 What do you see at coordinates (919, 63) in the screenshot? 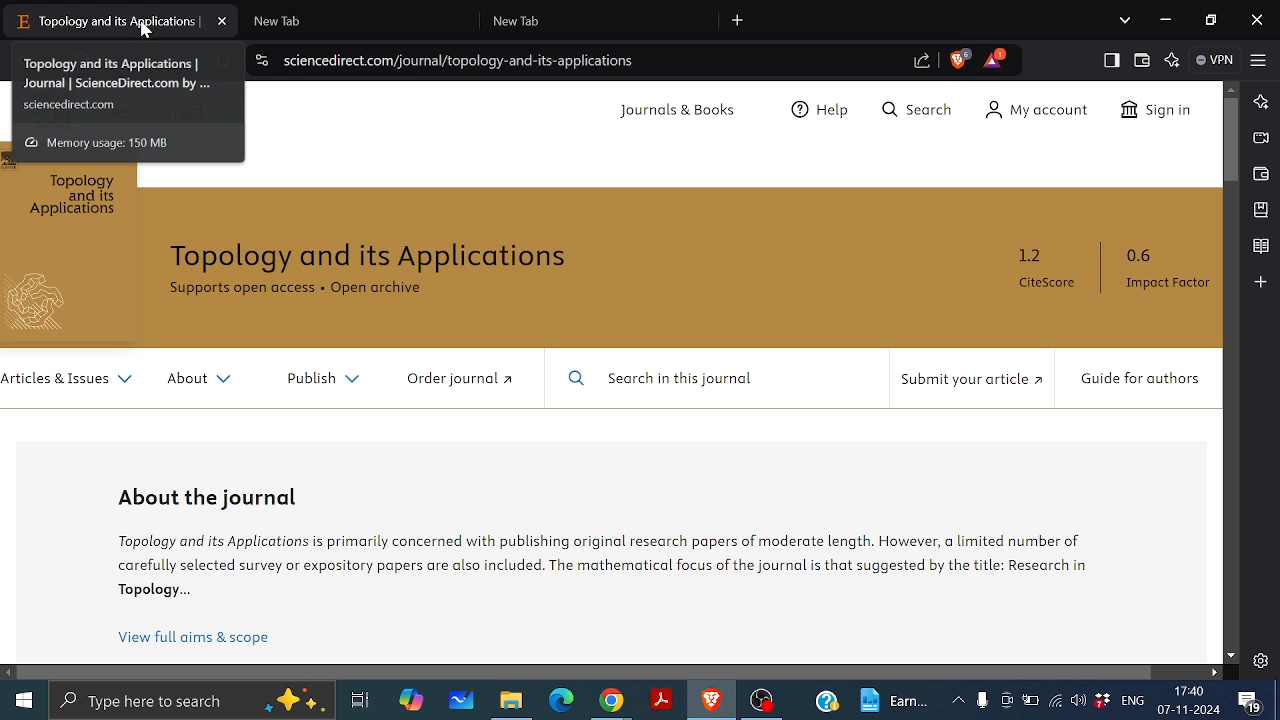
I see `Share this page` at bounding box center [919, 63].